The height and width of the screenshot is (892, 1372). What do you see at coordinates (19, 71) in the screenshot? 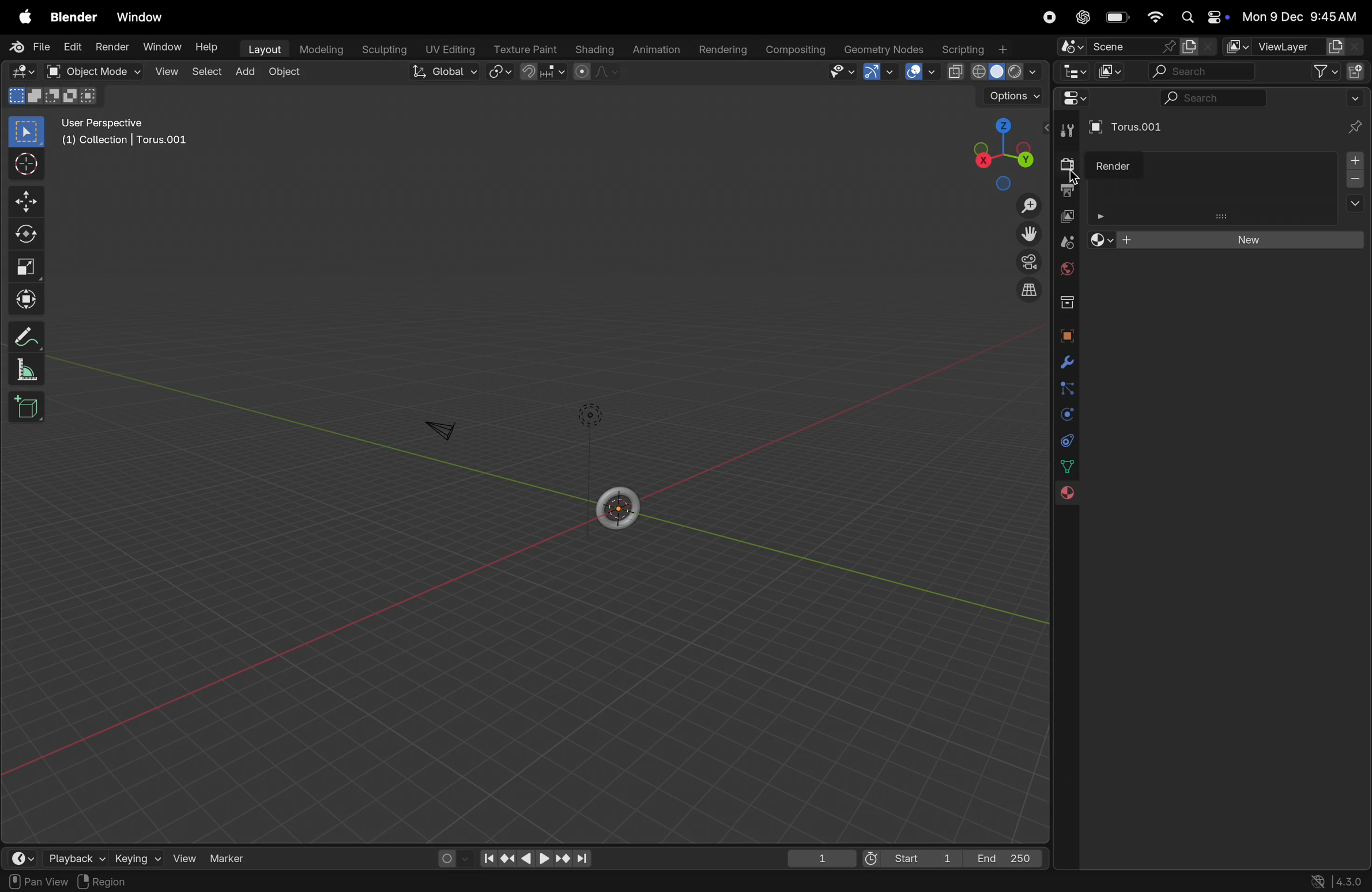
I see `editor type` at bounding box center [19, 71].